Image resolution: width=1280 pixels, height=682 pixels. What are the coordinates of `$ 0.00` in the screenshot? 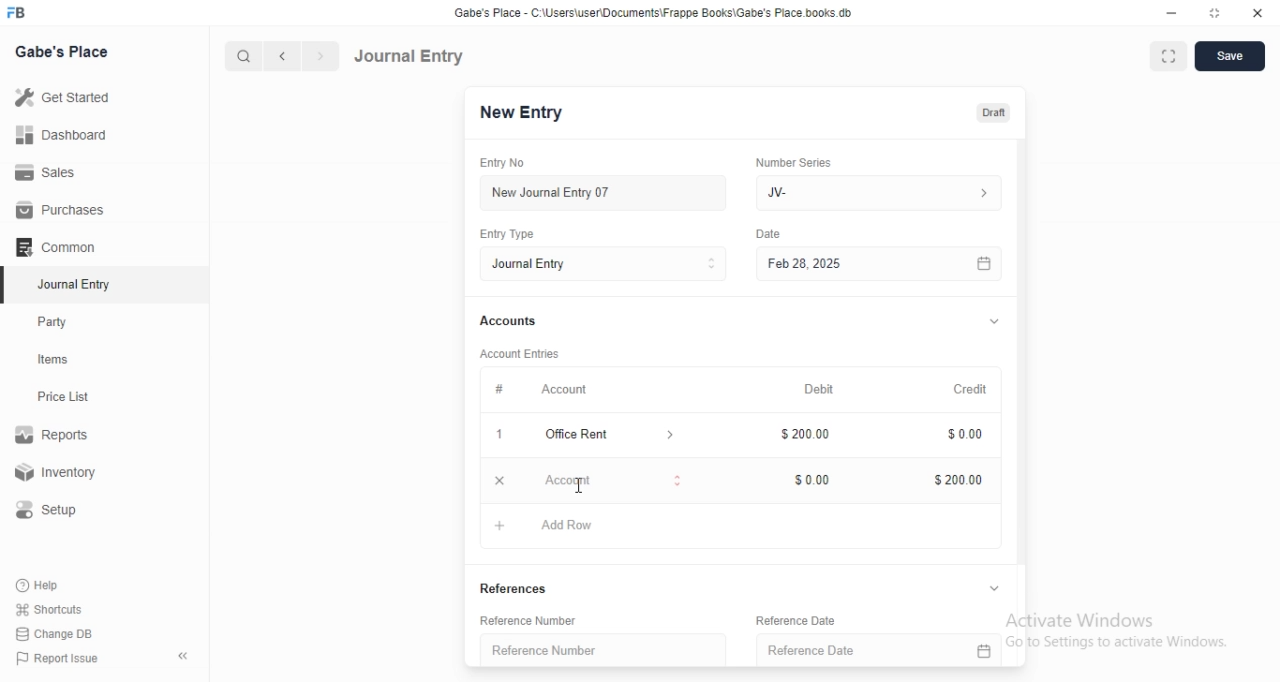 It's located at (960, 436).